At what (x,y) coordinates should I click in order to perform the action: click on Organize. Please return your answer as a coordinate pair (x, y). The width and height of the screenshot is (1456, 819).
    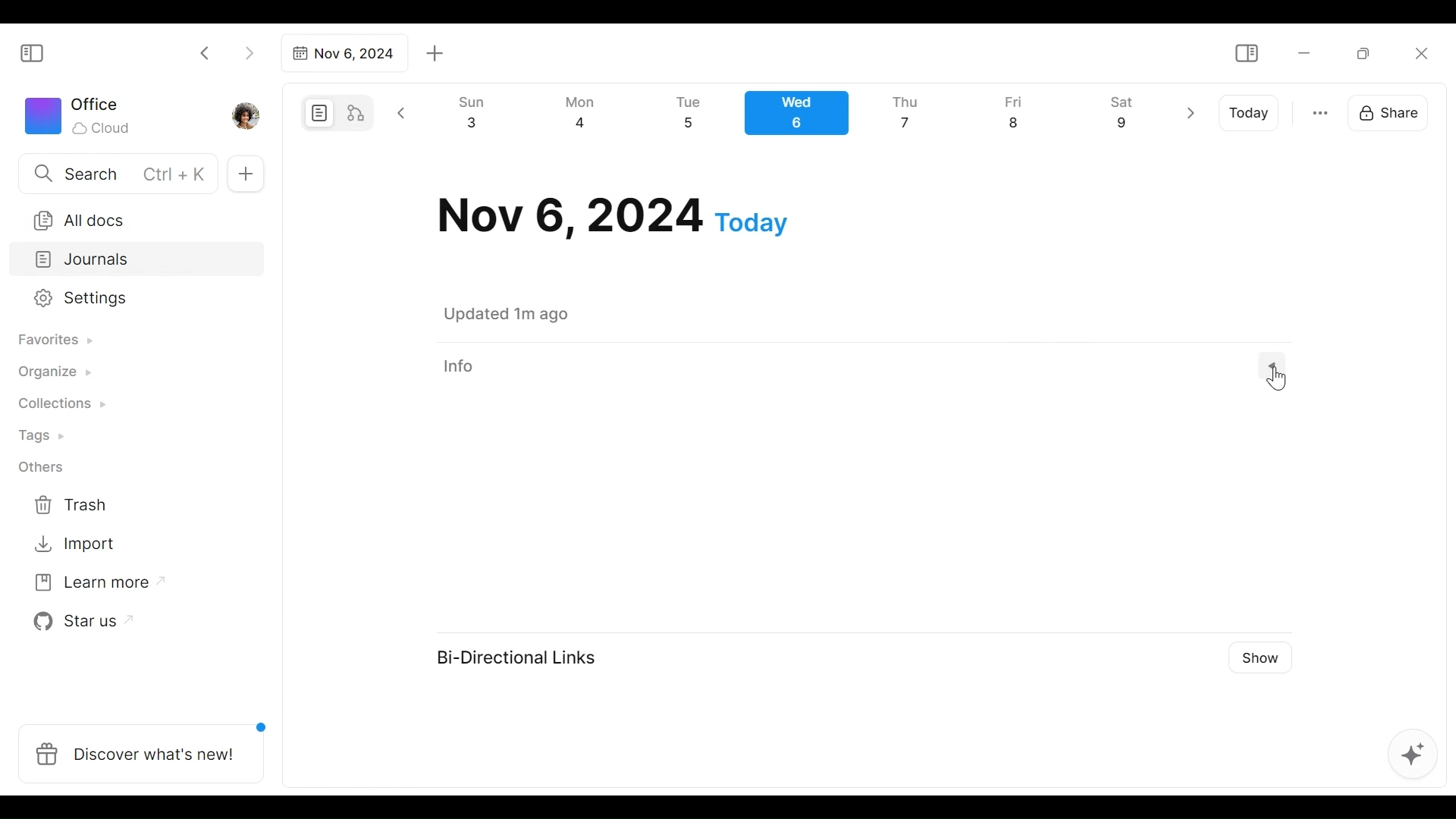
    Looking at the image, I should click on (53, 373).